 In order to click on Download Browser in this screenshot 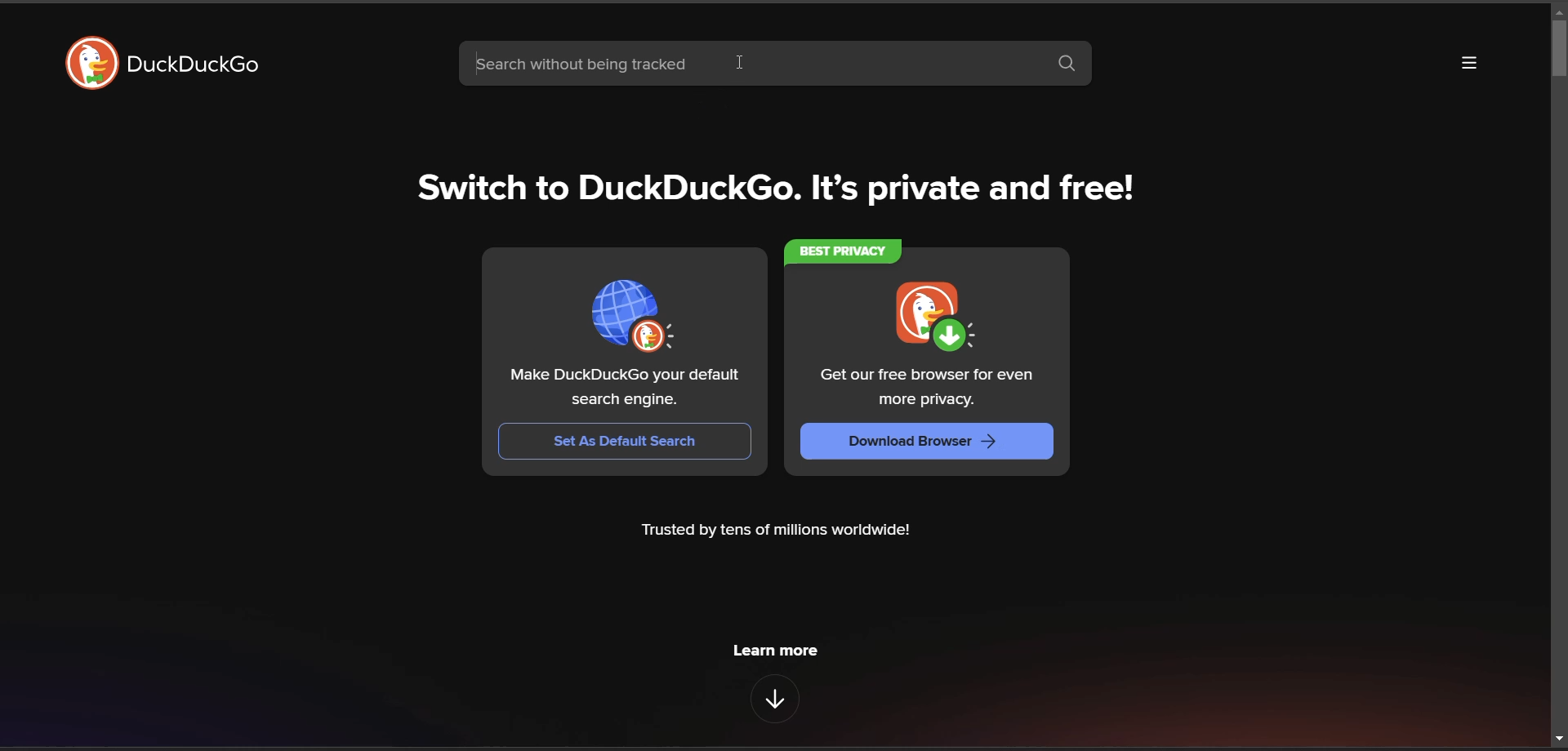, I will do `click(925, 442)`.